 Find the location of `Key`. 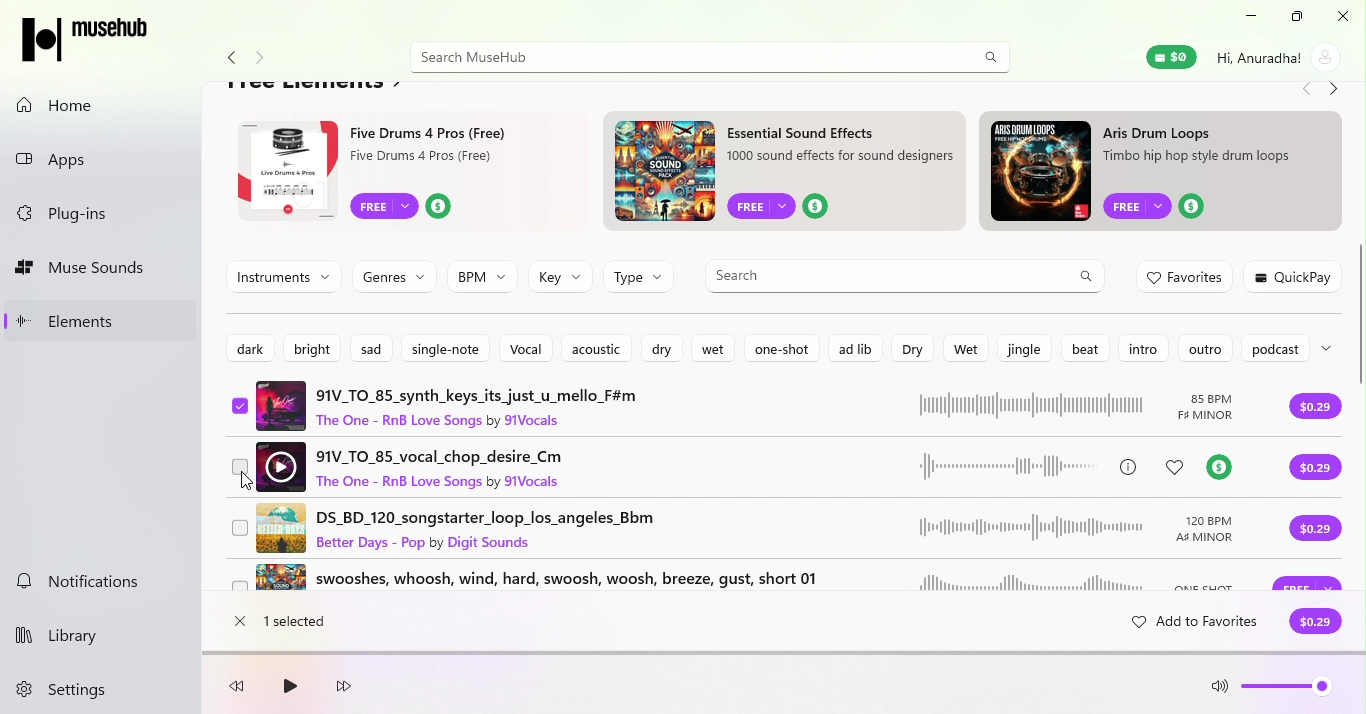

Key is located at coordinates (560, 278).